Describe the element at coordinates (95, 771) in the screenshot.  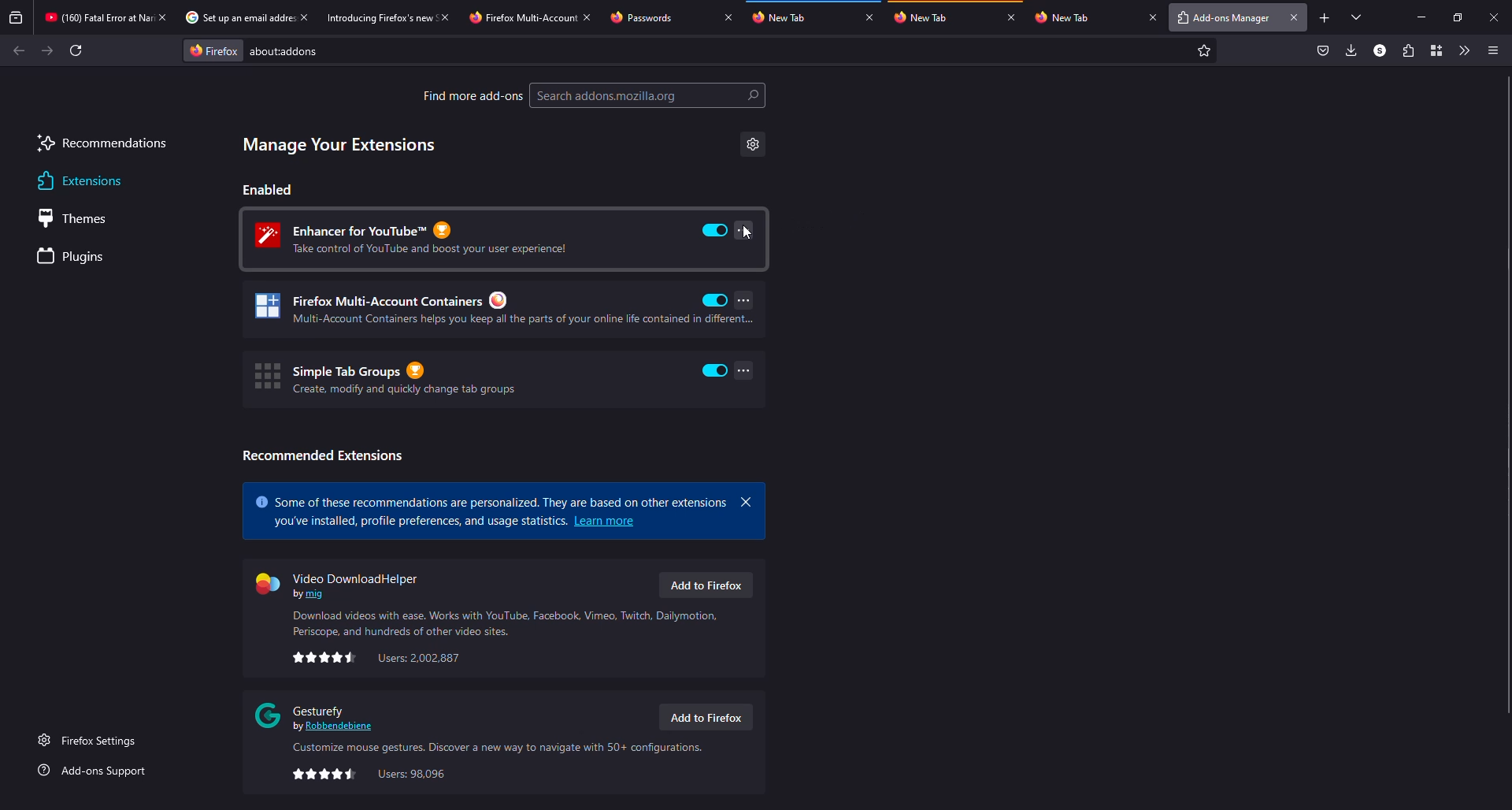
I see `add-on support` at that location.